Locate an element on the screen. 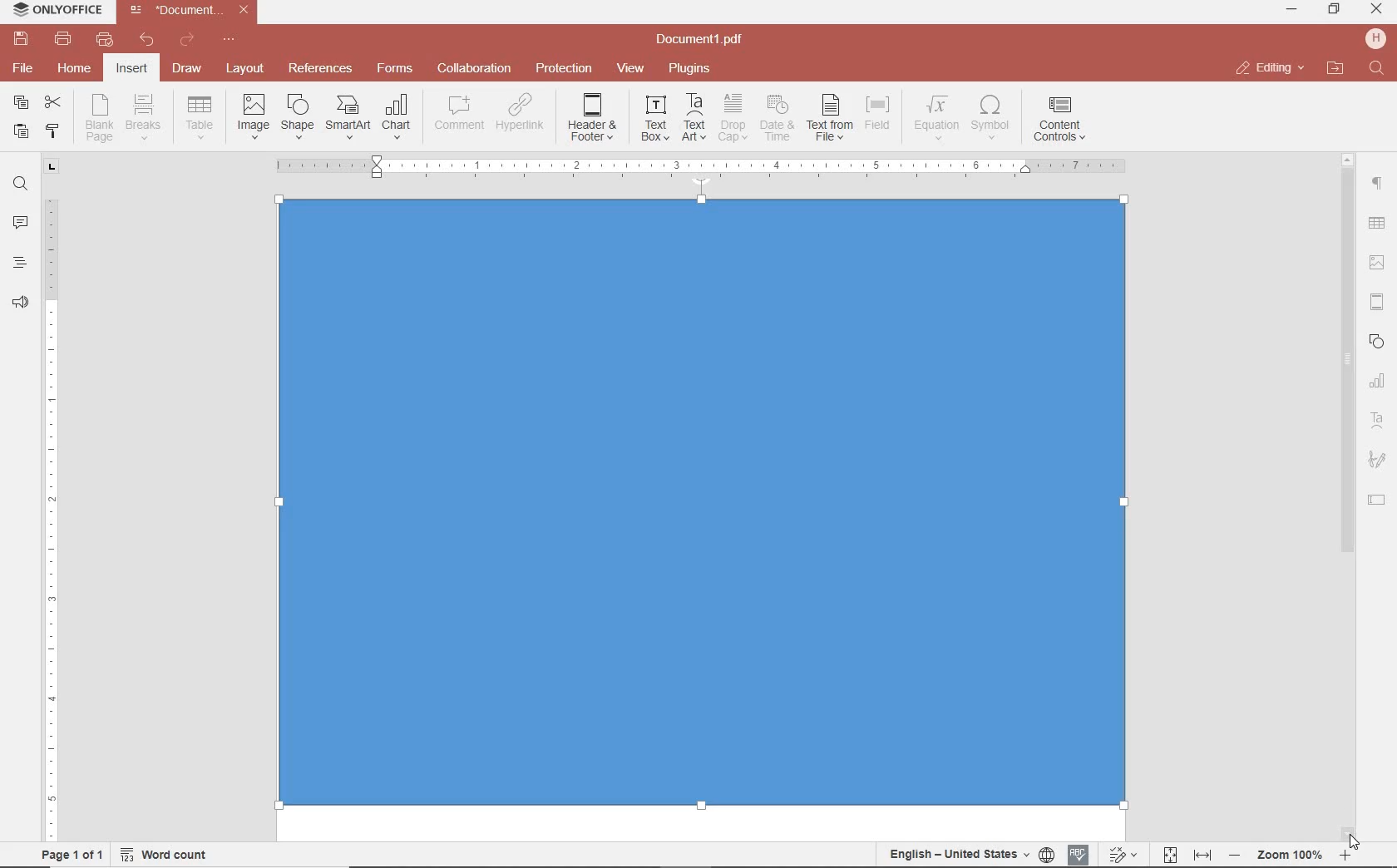 The width and height of the screenshot is (1397, 868). zoom in and out is located at coordinates (1290, 856).